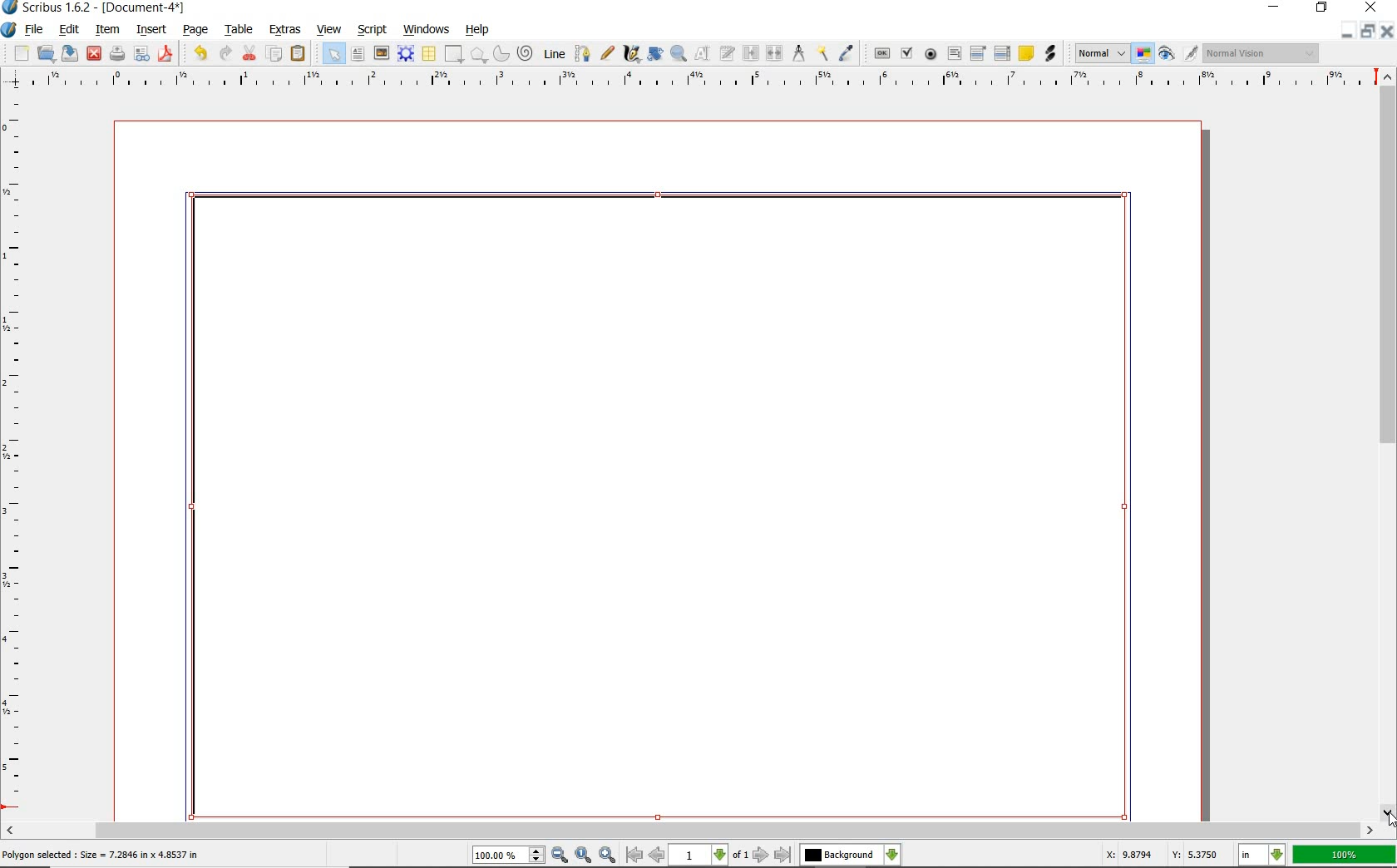 This screenshot has width=1397, height=868. Describe the element at coordinates (275, 54) in the screenshot. I see `copy` at that location.